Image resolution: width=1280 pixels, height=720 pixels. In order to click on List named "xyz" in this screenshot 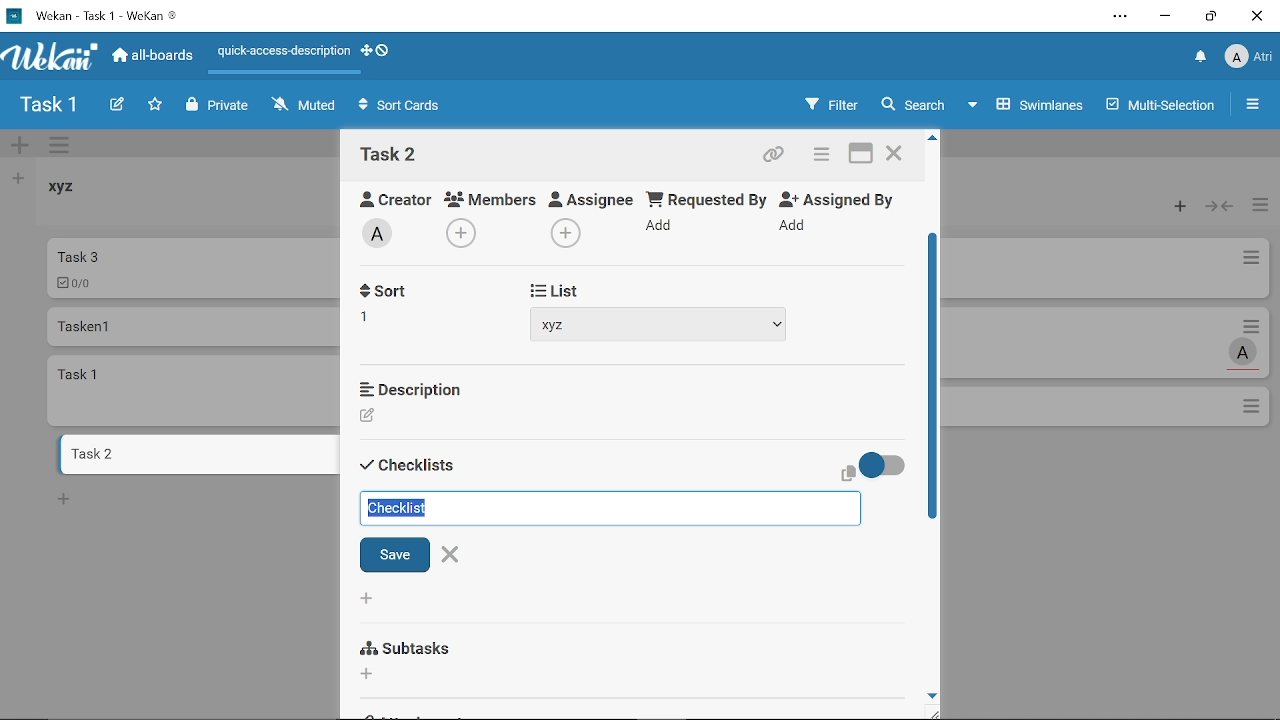, I will do `click(75, 194)`.